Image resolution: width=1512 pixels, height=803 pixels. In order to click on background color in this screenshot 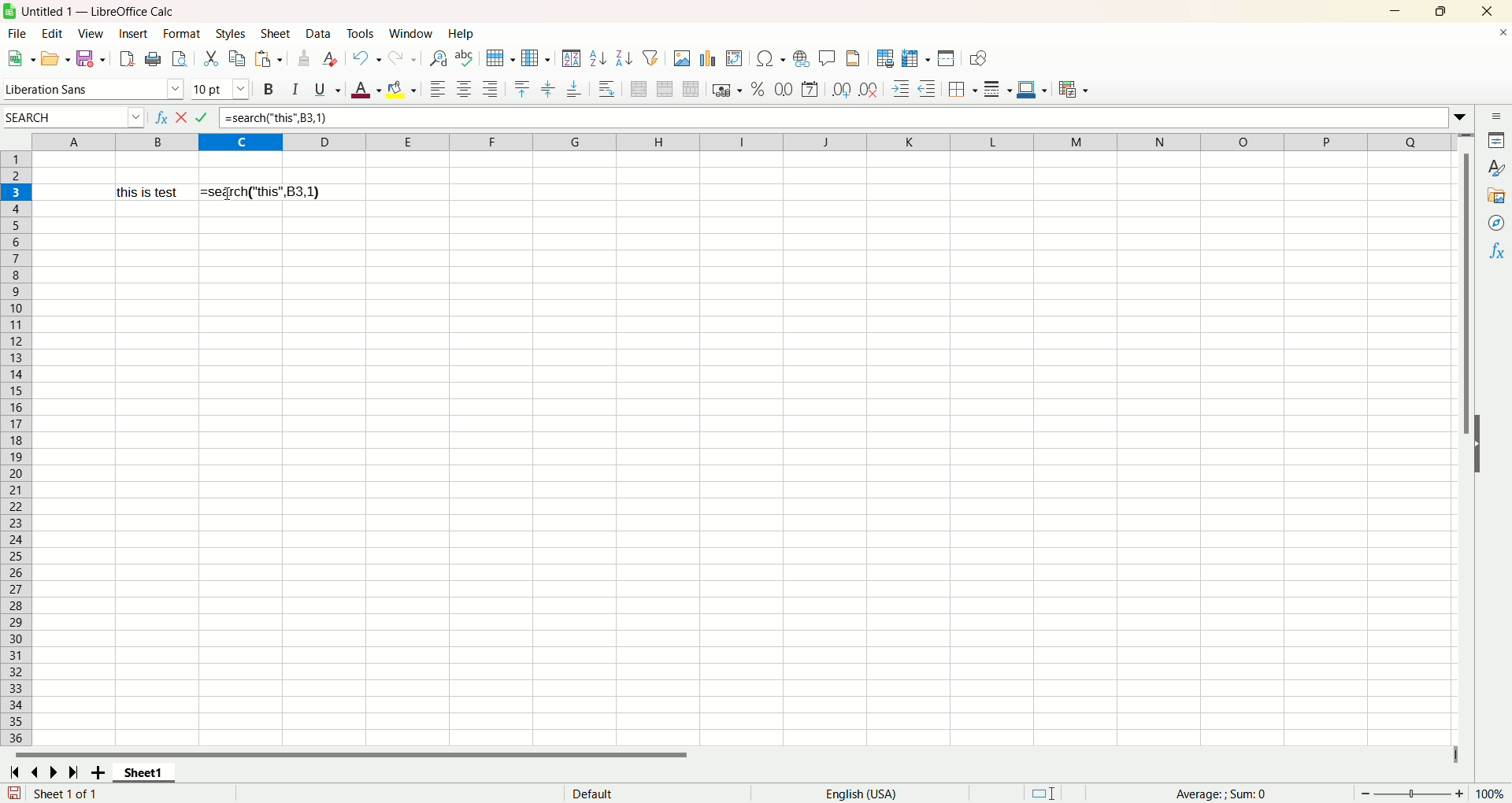, I will do `click(403, 87)`.